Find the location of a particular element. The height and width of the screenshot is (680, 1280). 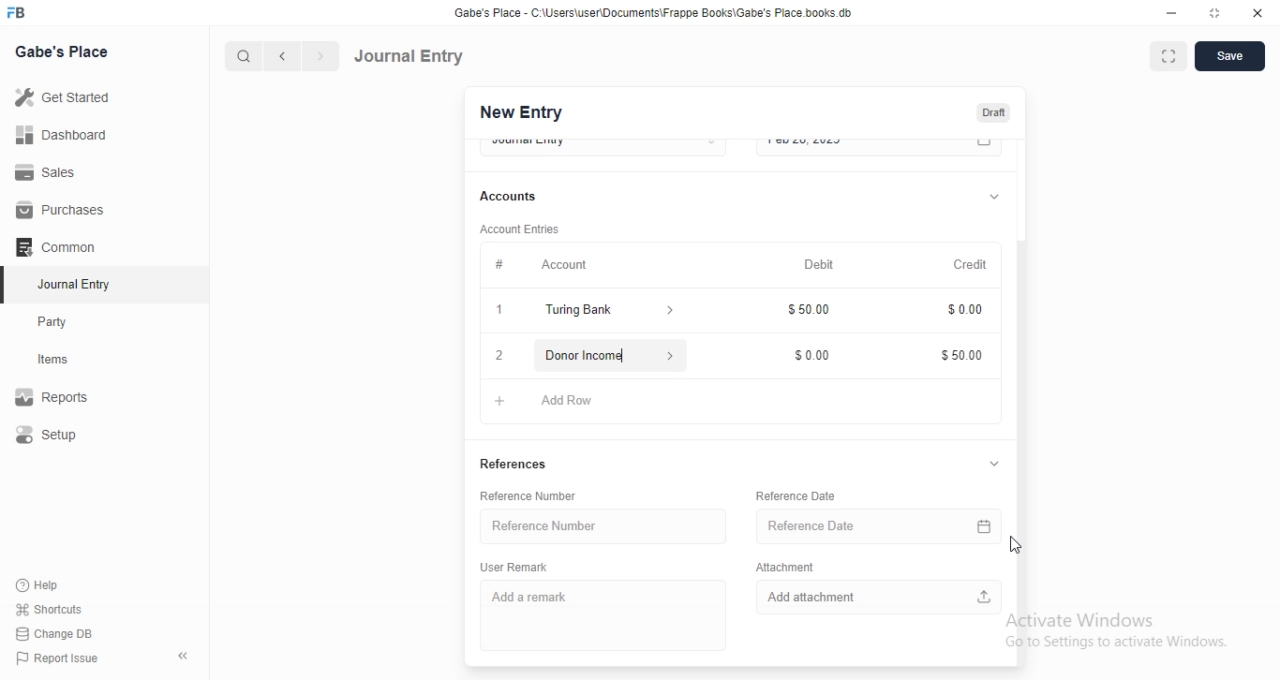

Gabe's Place is located at coordinates (62, 51).